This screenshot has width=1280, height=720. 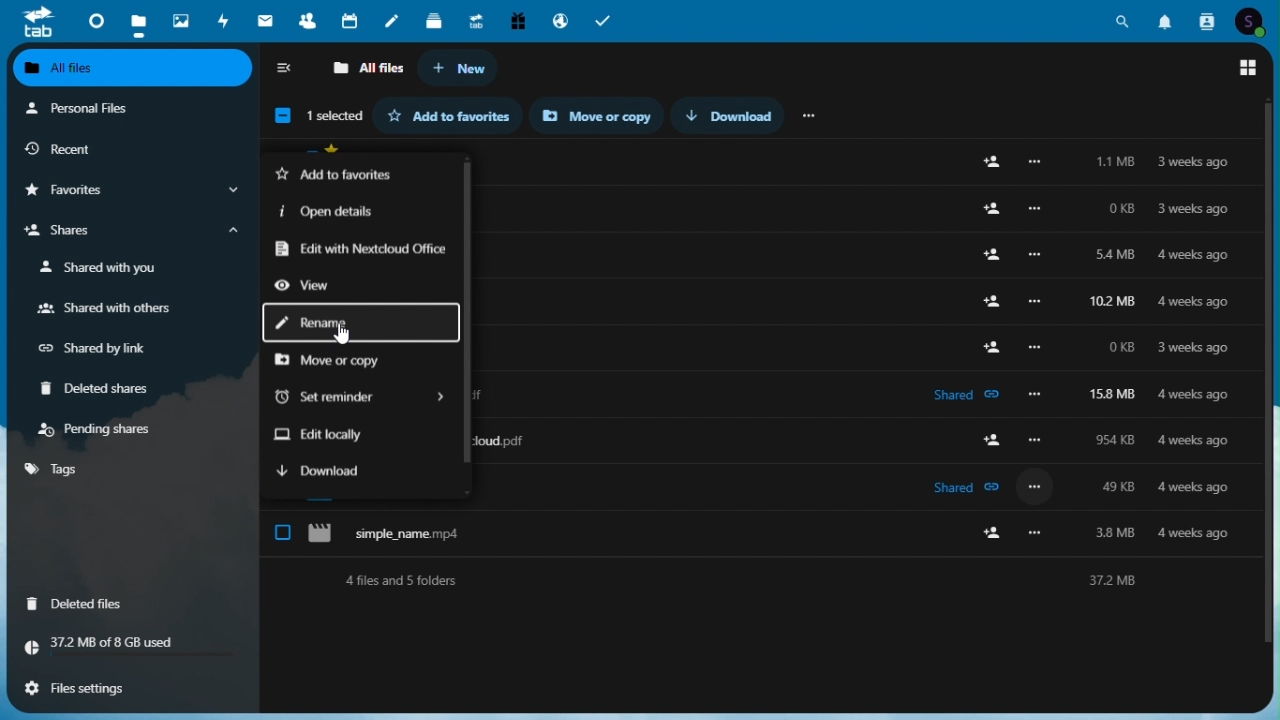 What do you see at coordinates (120, 110) in the screenshot?
I see `personal files` at bounding box center [120, 110].